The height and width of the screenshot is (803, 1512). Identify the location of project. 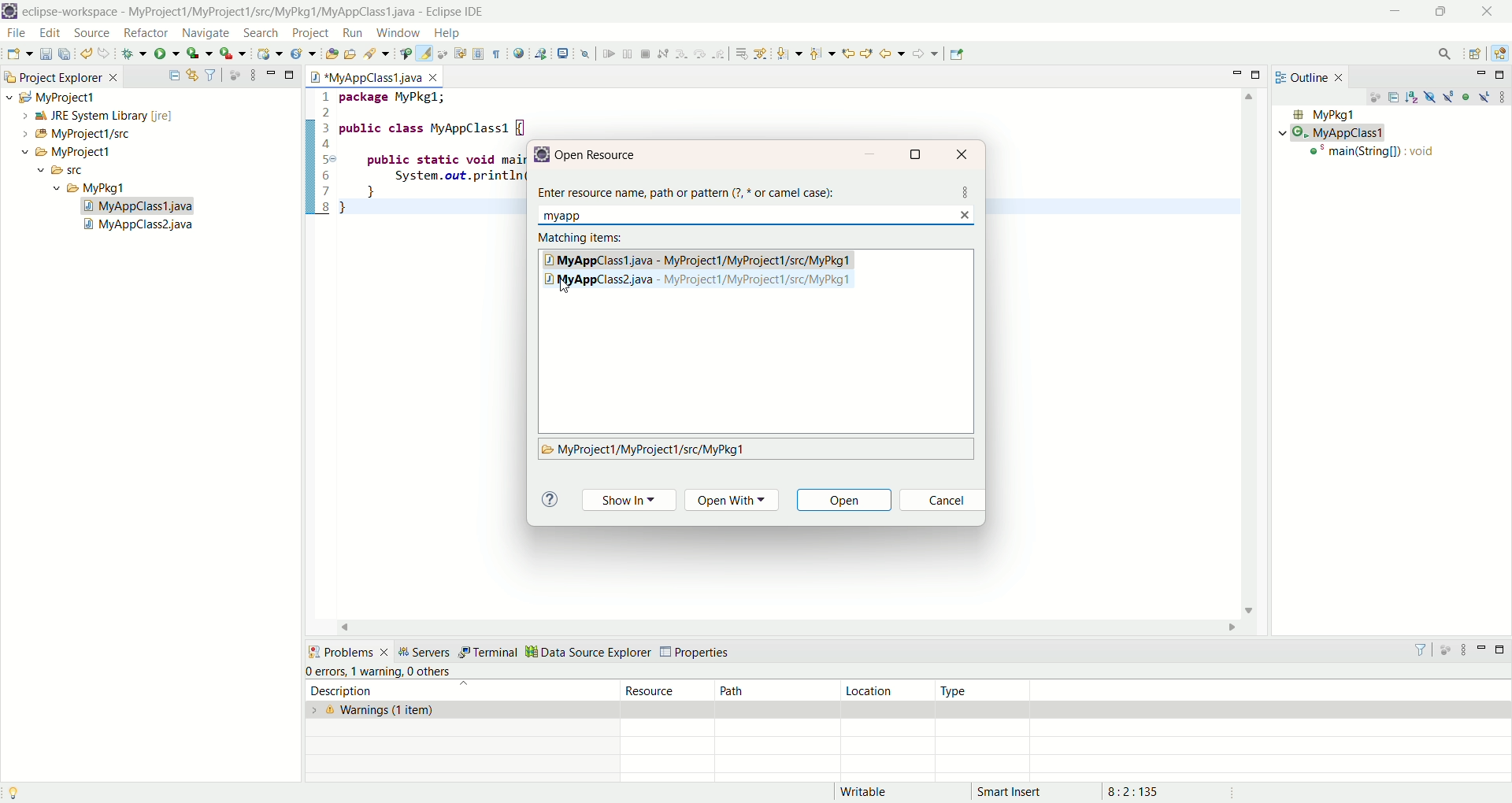
(307, 33).